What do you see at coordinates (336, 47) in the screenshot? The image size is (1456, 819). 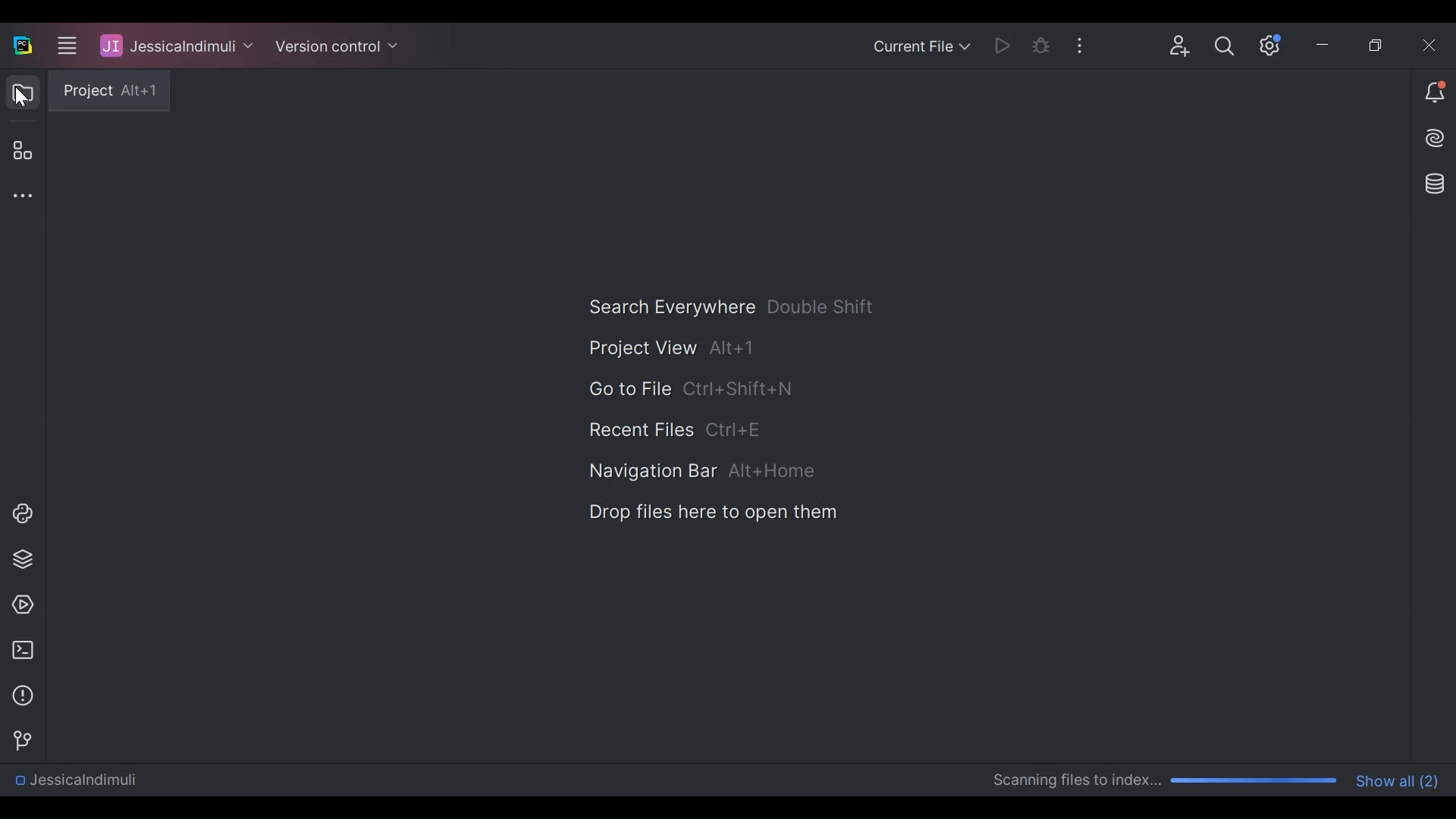 I see `Version Control` at bounding box center [336, 47].